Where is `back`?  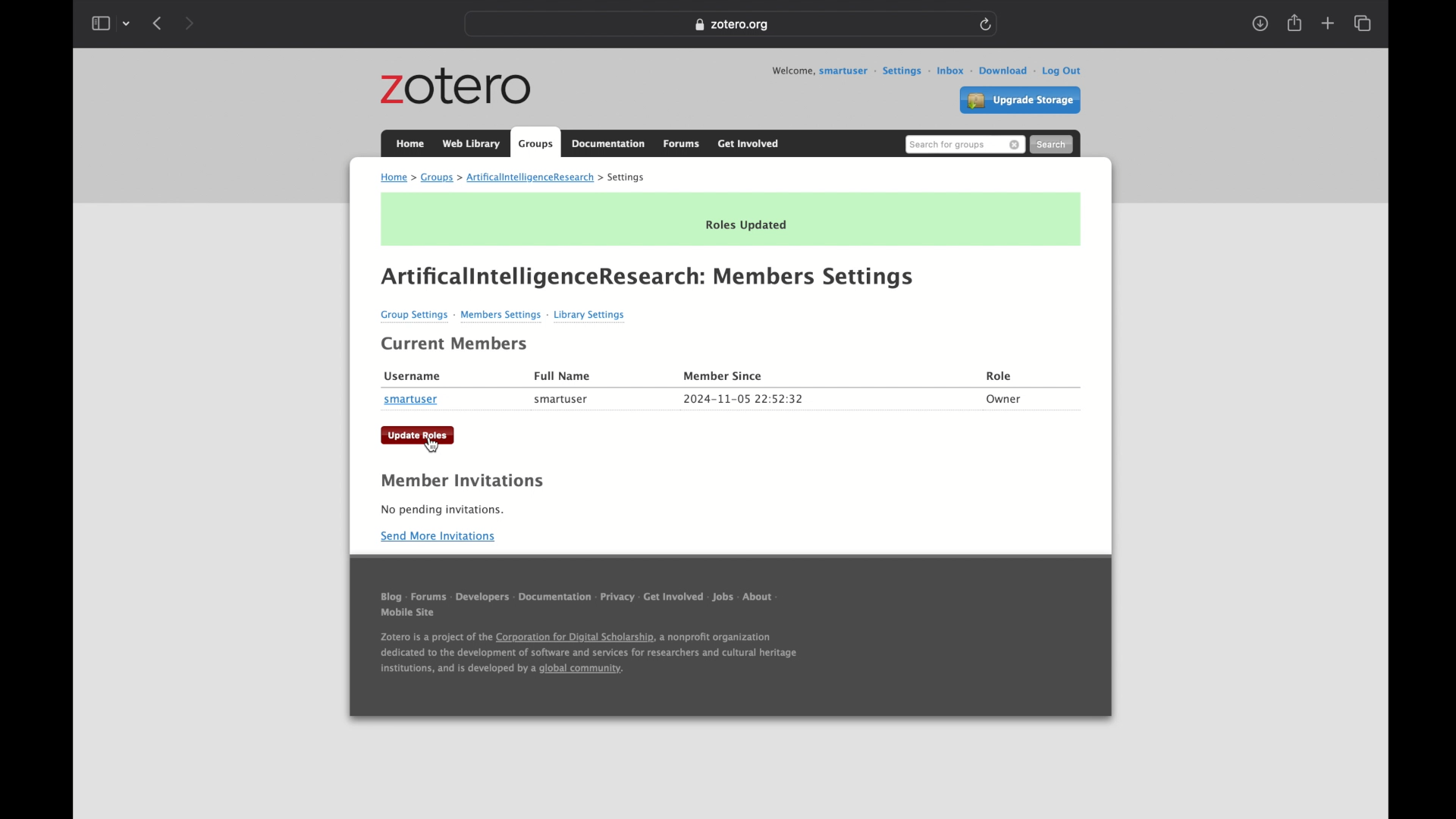
back is located at coordinates (157, 23).